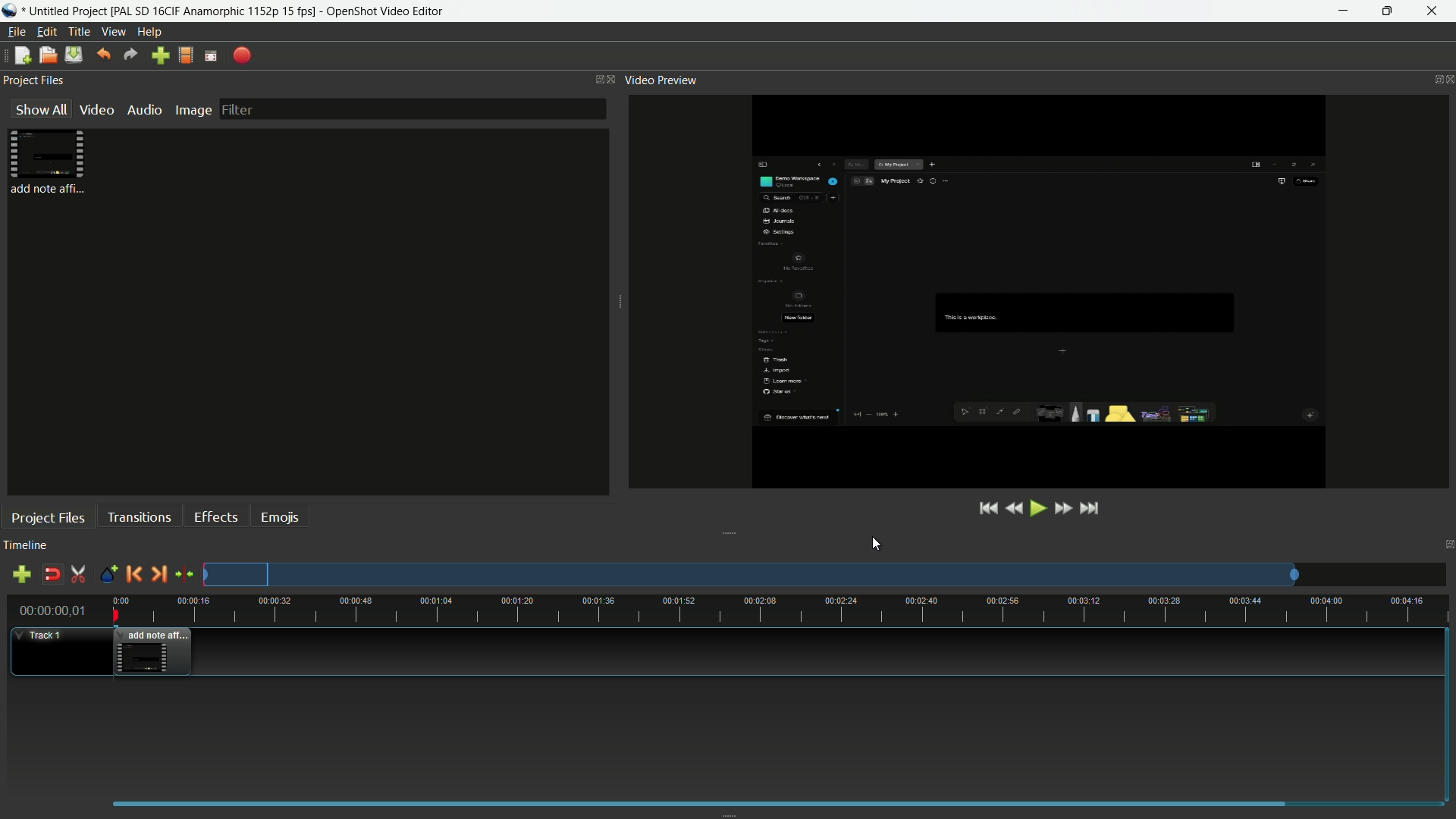  Describe the element at coordinates (1090, 510) in the screenshot. I see `jump to end` at that location.